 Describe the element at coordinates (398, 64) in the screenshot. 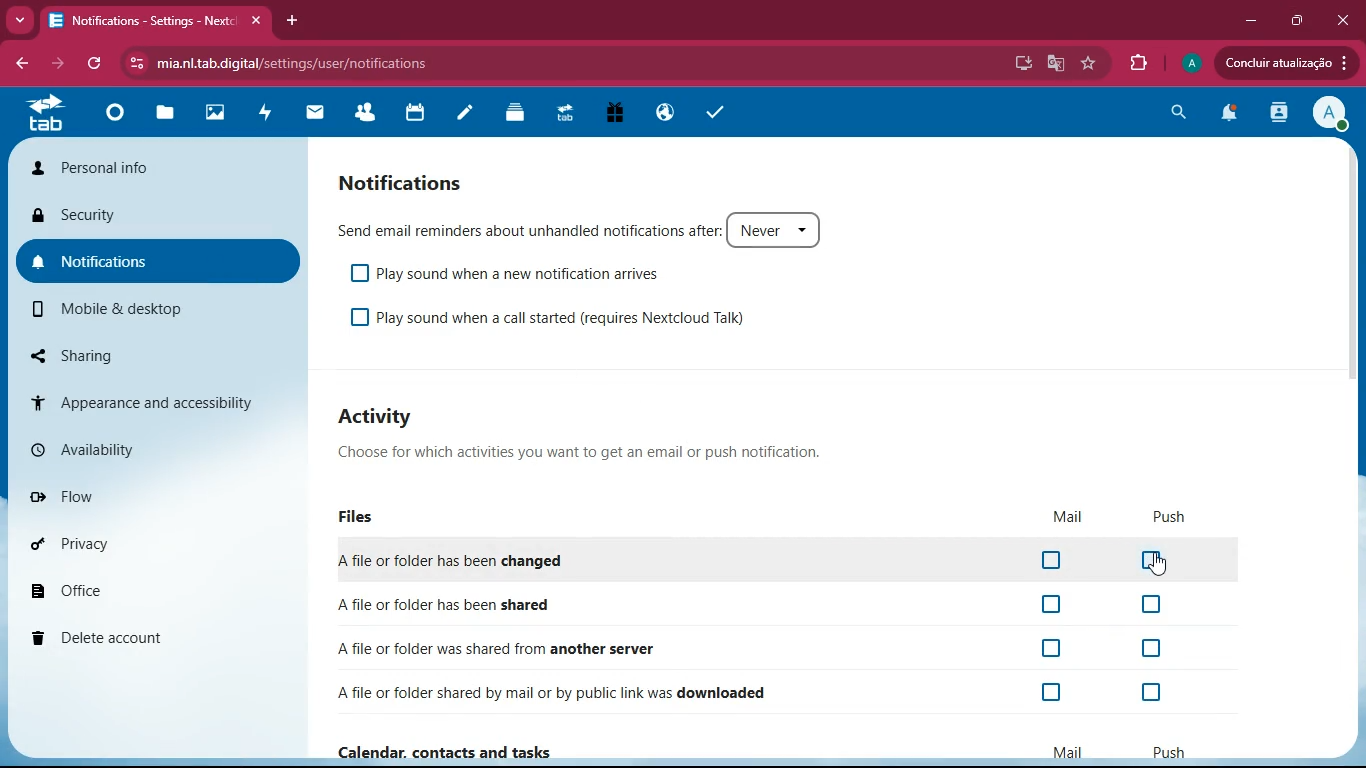

I see `url` at that location.